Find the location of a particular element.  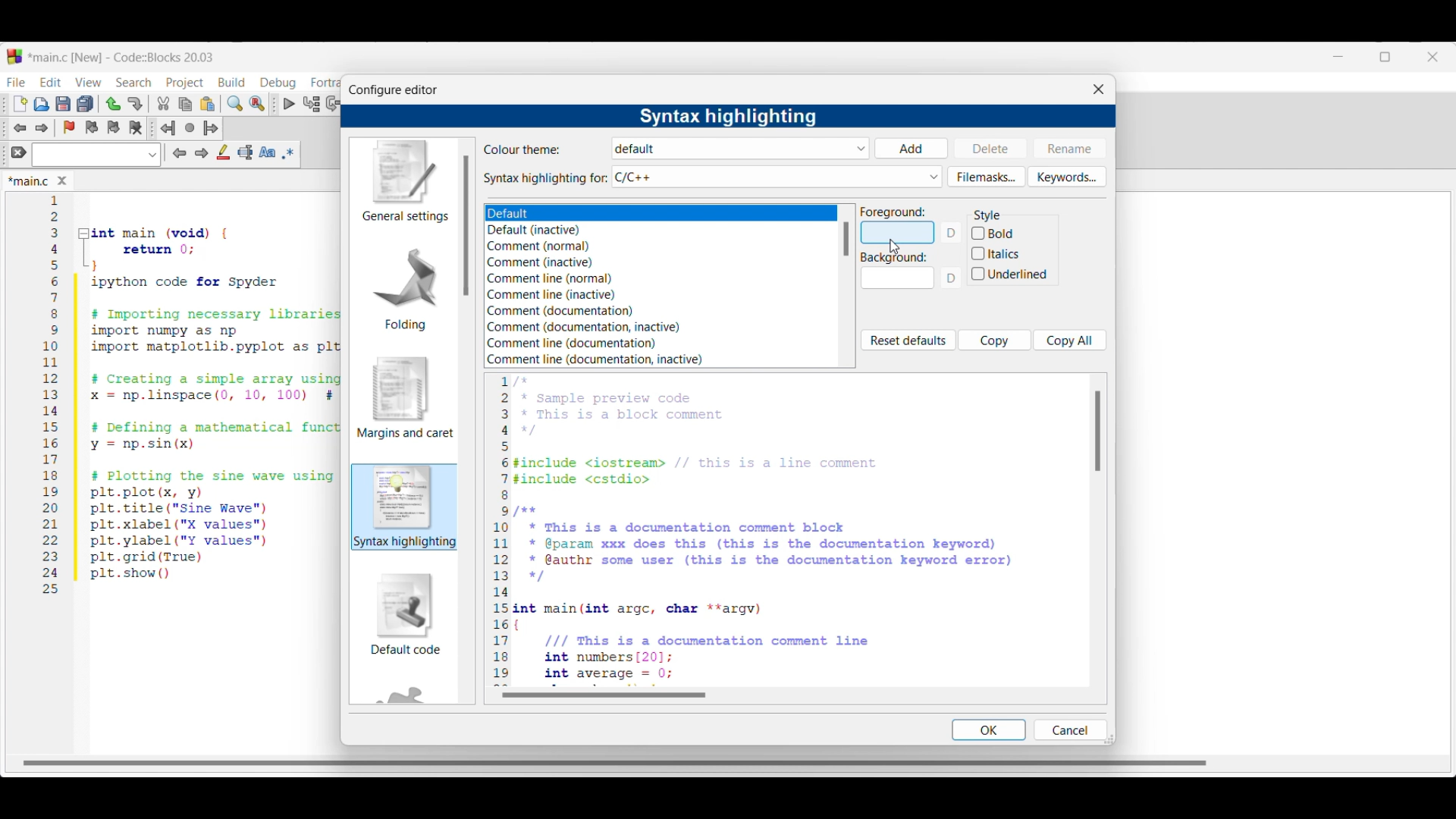

Change dimension is located at coordinates (1109, 739).